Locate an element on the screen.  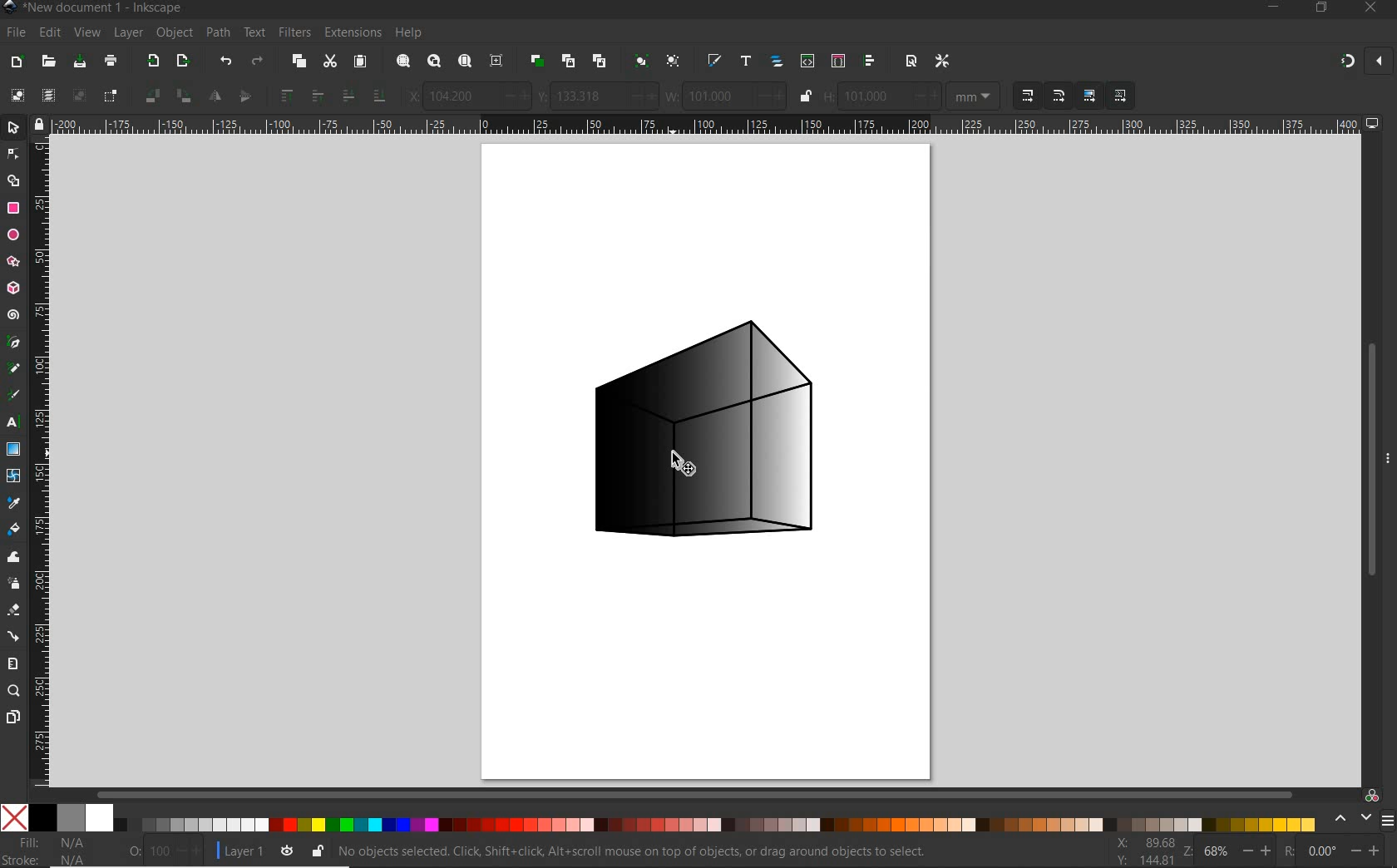
OPEN XML EDITOR is located at coordinates (809, 60).